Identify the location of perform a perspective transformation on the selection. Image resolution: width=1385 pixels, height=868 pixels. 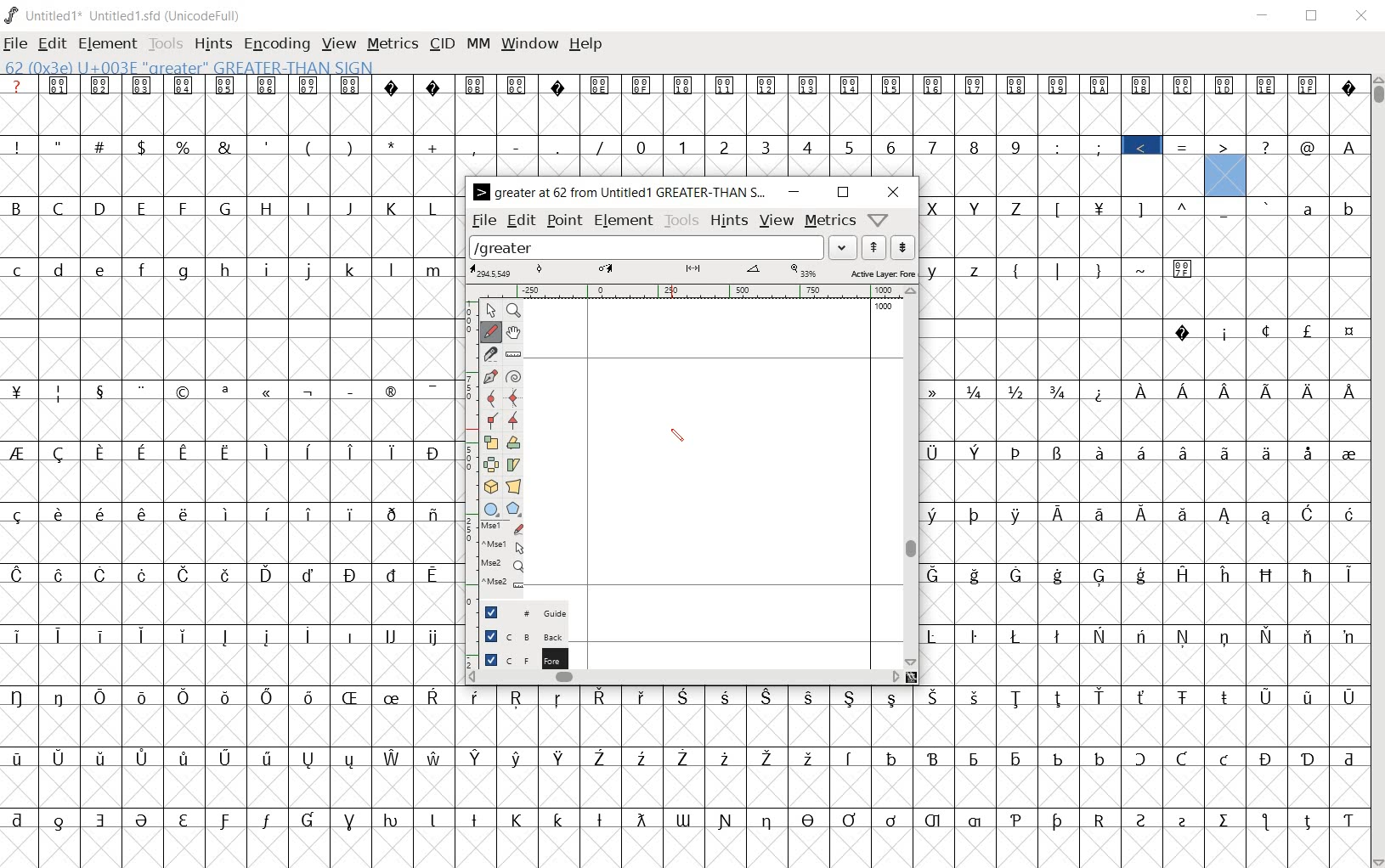
(514, 486).